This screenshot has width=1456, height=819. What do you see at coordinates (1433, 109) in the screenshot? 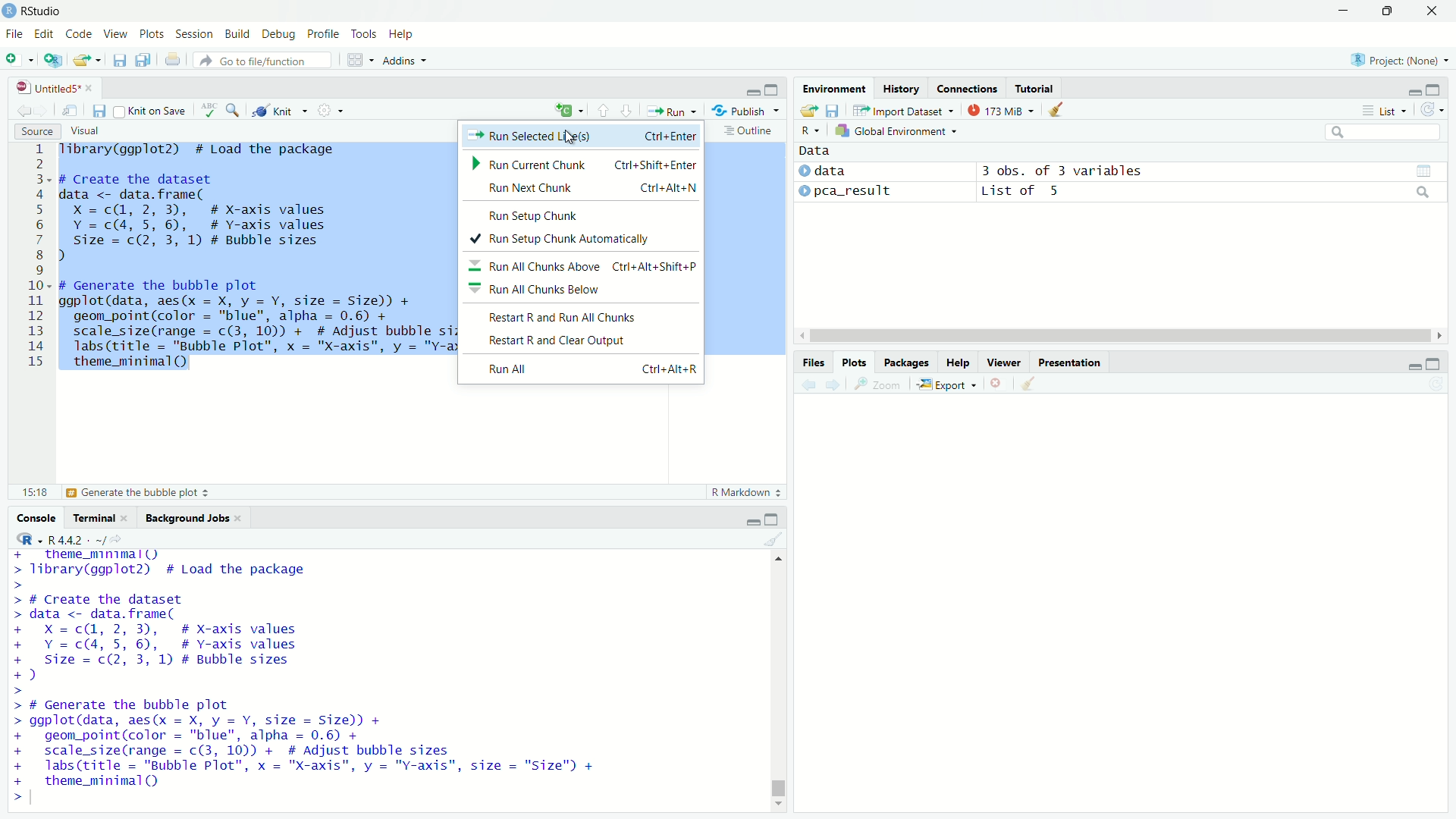
I see `refresh` at bounding box center [1433, 109].